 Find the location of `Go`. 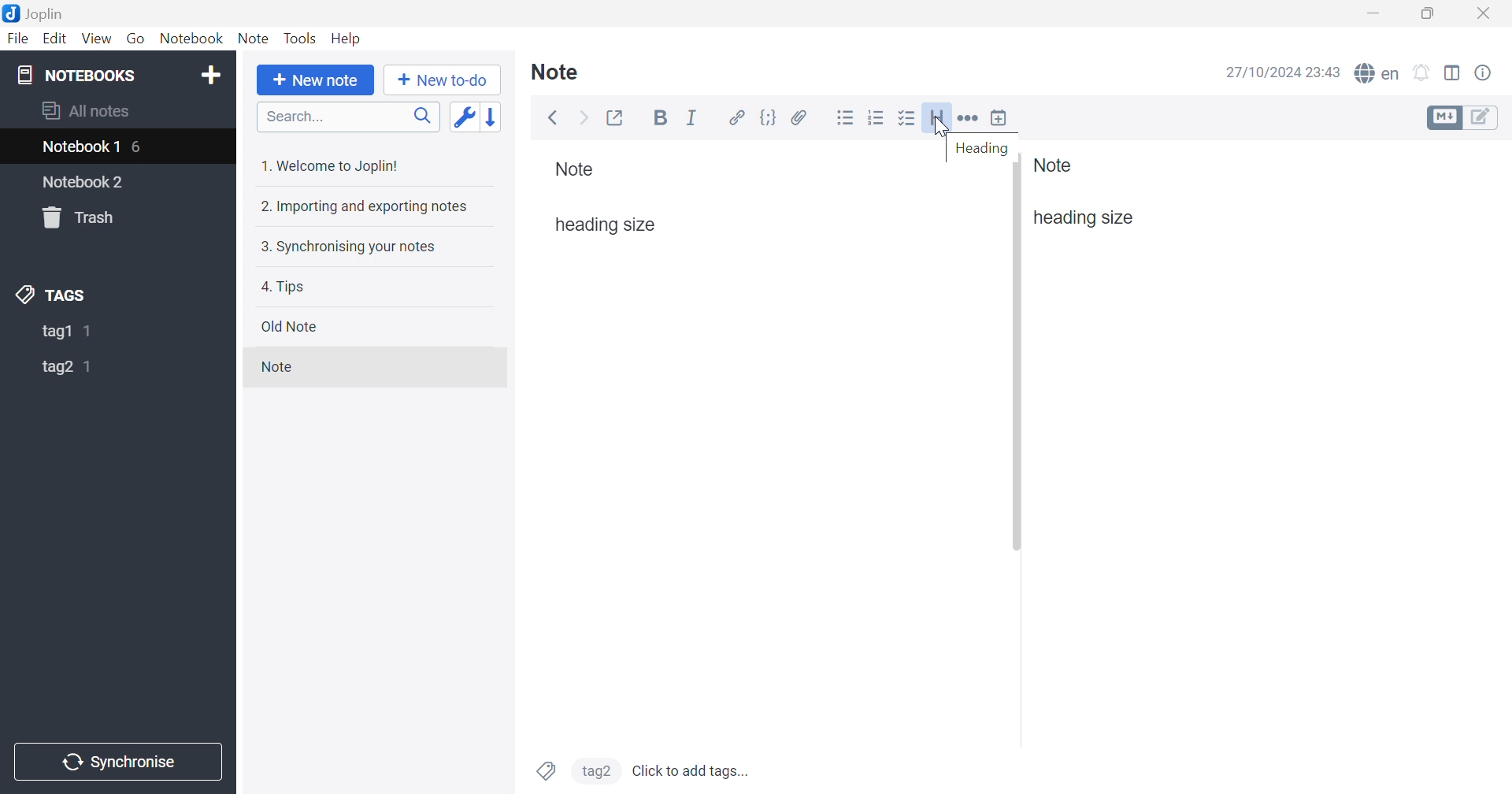

Go is located at coordinates (136, 38).